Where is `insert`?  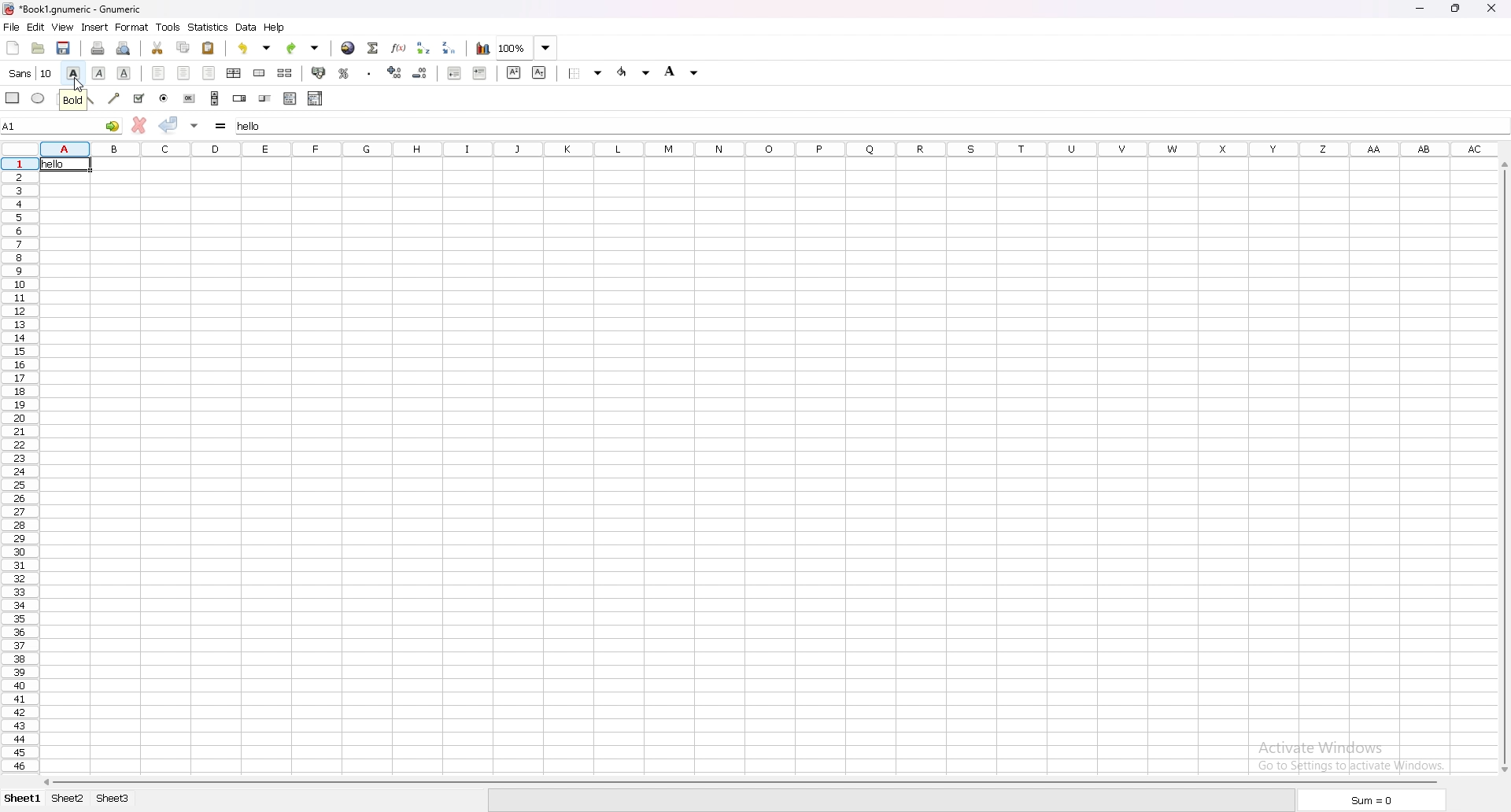
insert is located at coordinates (94, 28).